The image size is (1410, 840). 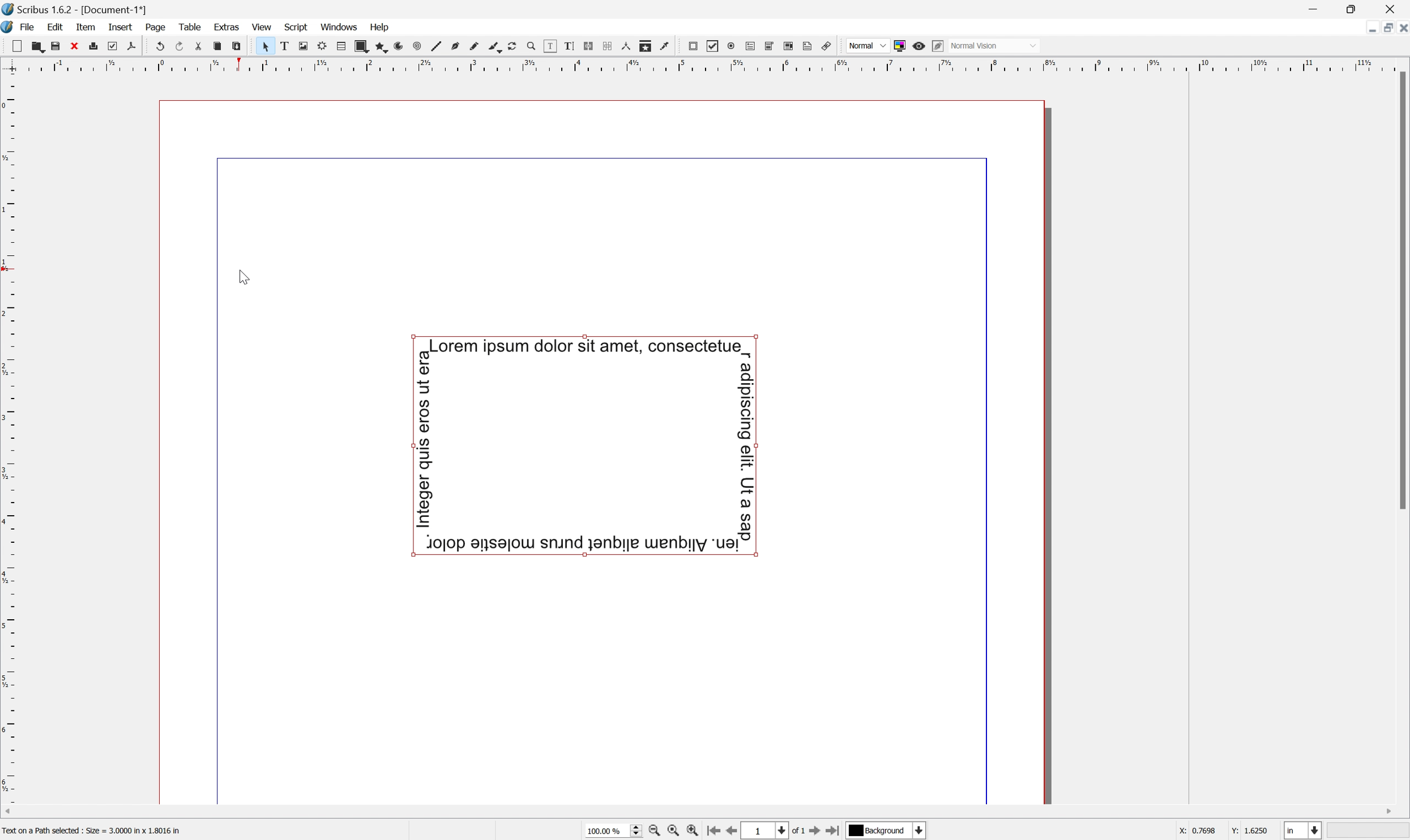 What do you see at coordinates (704, 64) in the screenshot?
I see `Scale` at bounding box center [704, 64].